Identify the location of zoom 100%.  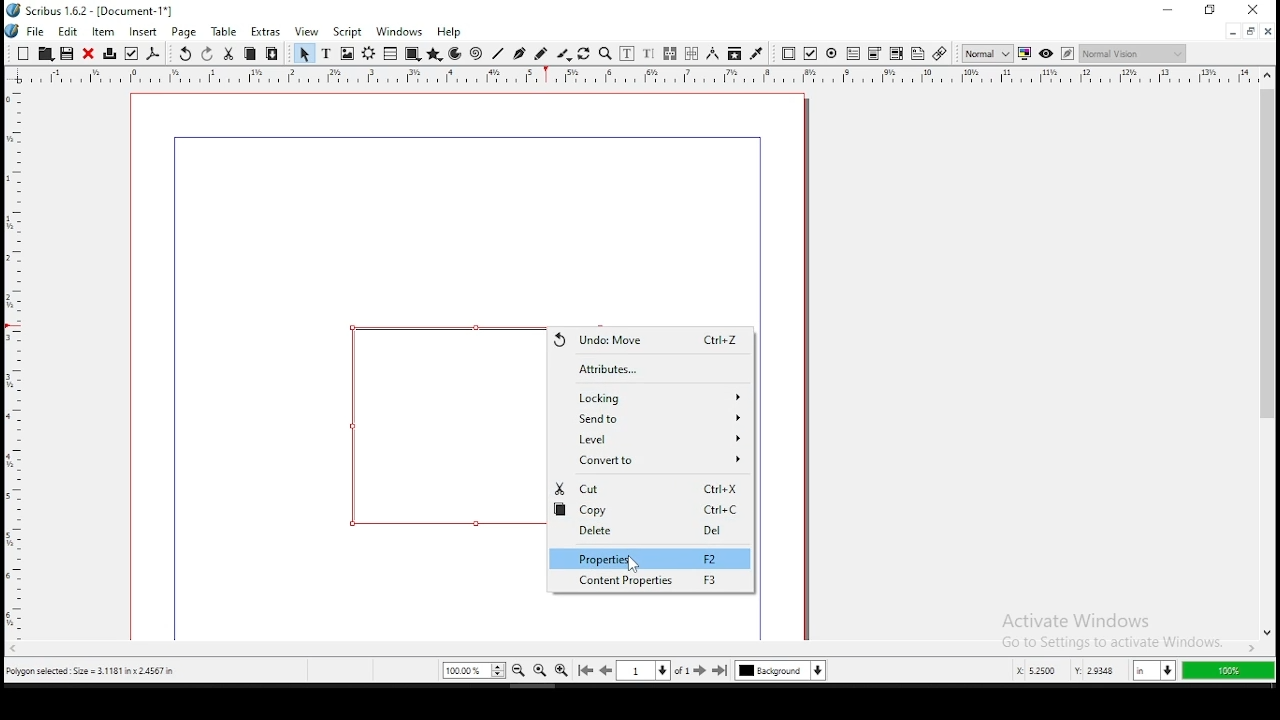
(540, 670).